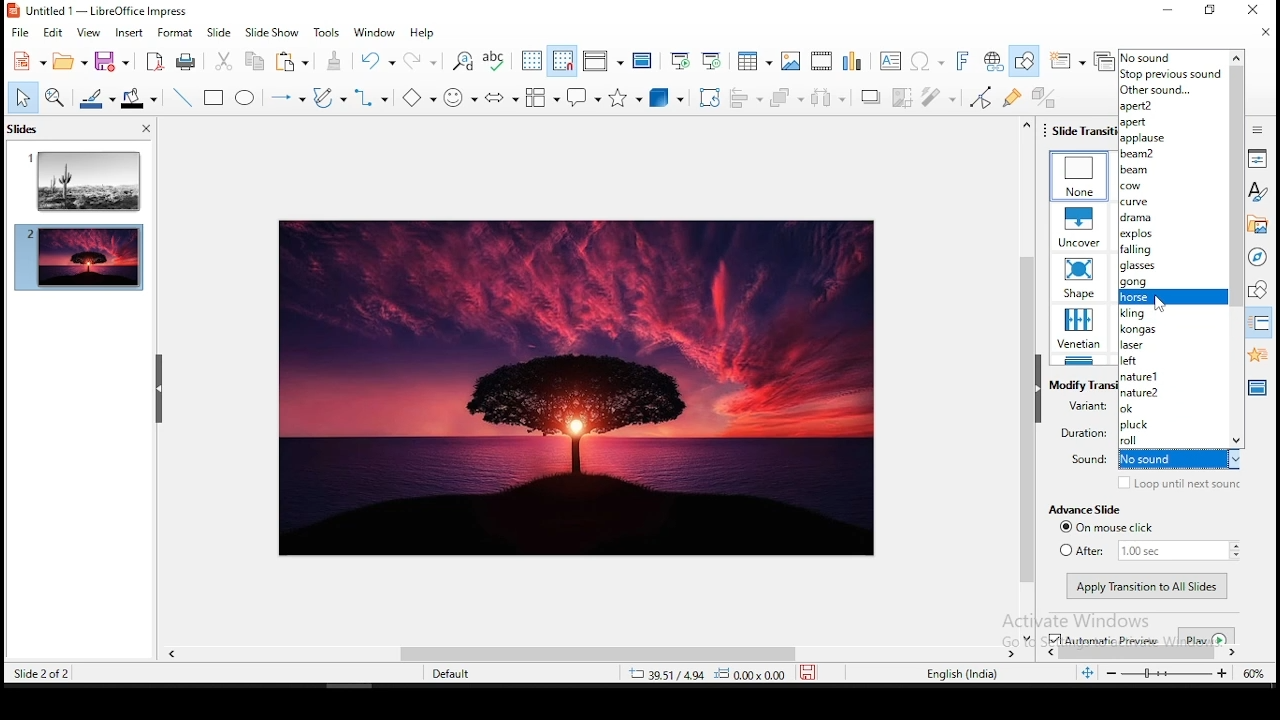 The image size is (1280, 720). Describe the element at coordinates (1172, 282) in the screenshot. I see `gong` at that location.